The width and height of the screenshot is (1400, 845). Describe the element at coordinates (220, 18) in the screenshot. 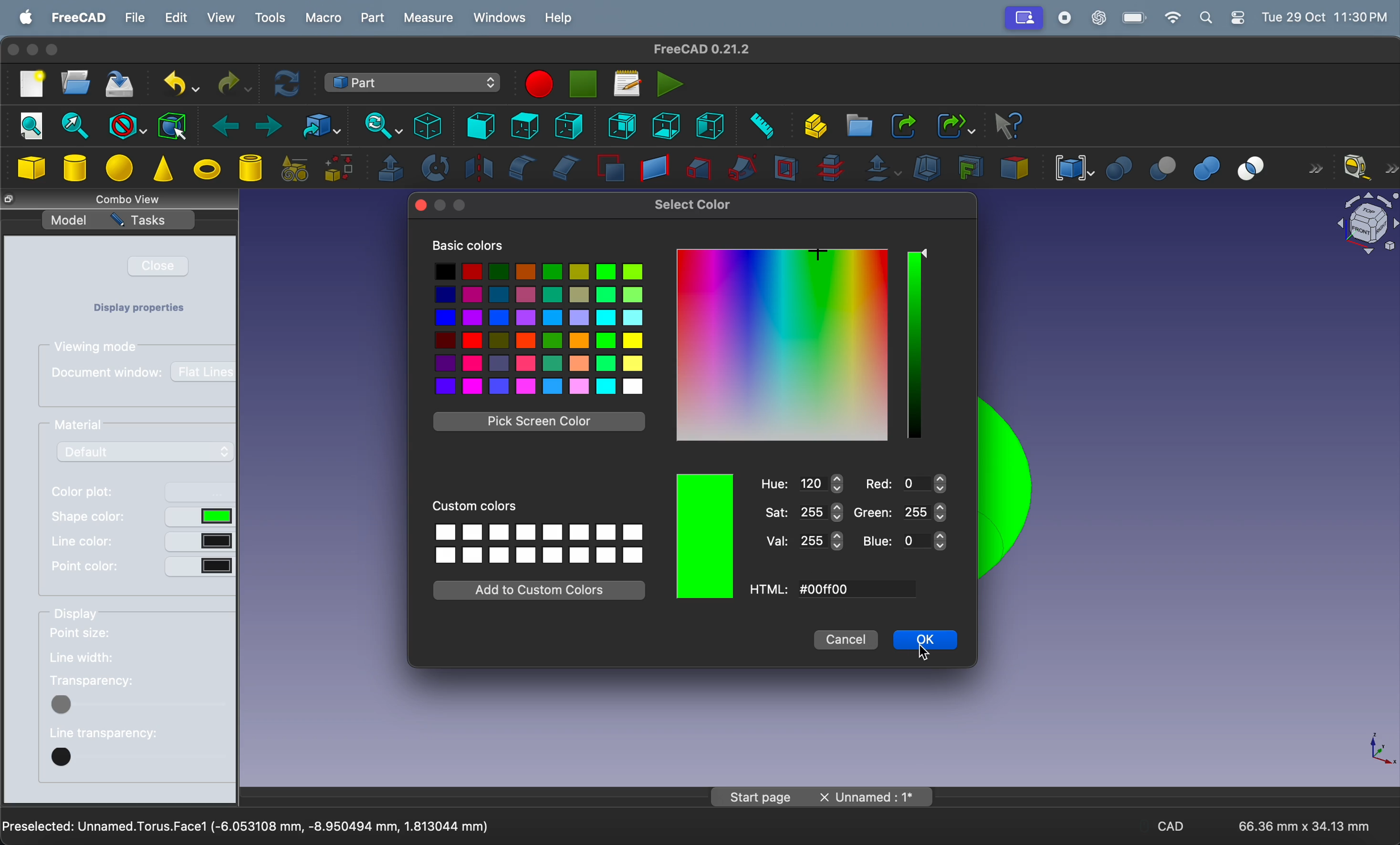

I see `view` at that location.